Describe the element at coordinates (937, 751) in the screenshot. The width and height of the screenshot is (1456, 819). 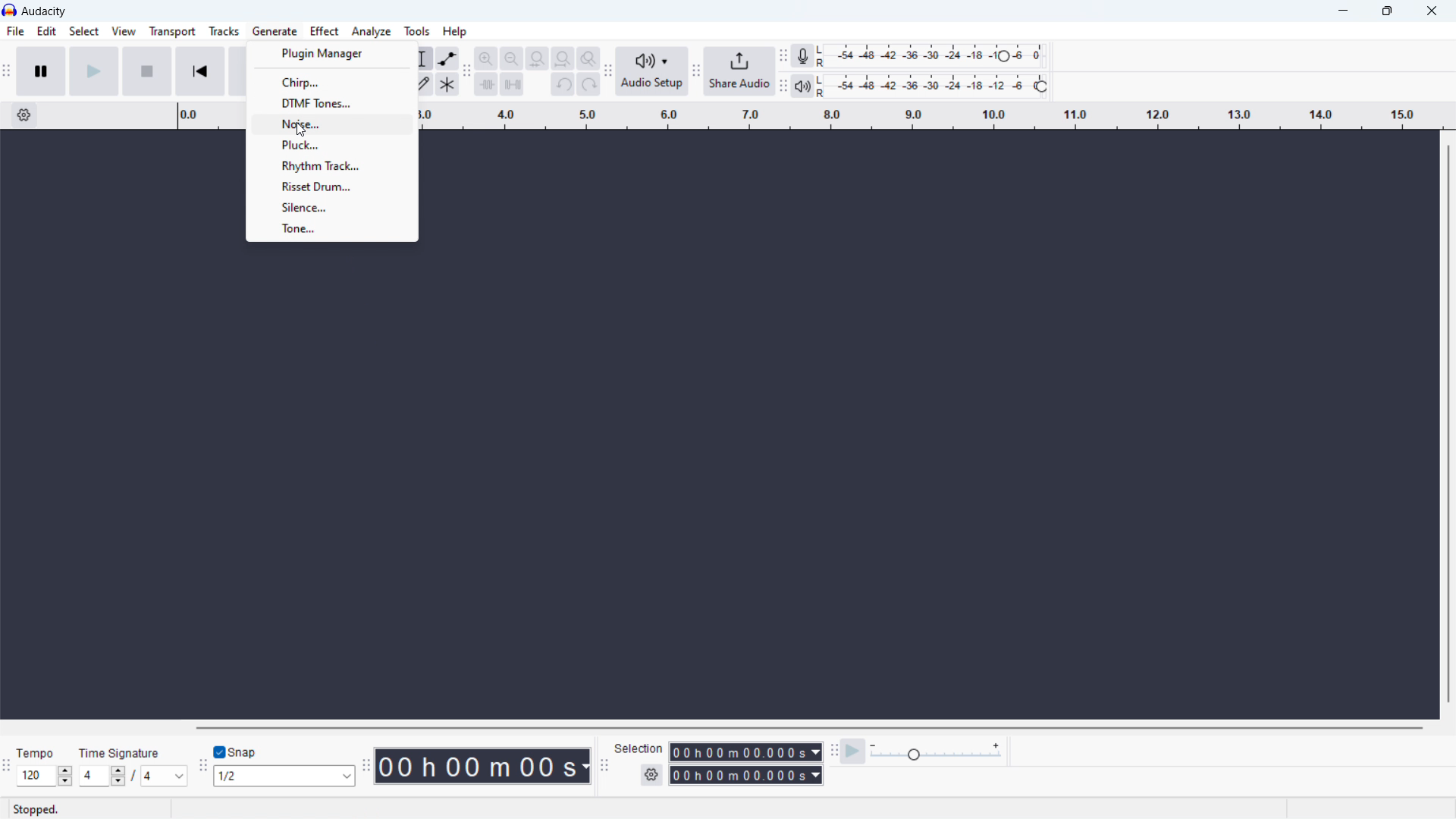
I see `playback meter` at that location.